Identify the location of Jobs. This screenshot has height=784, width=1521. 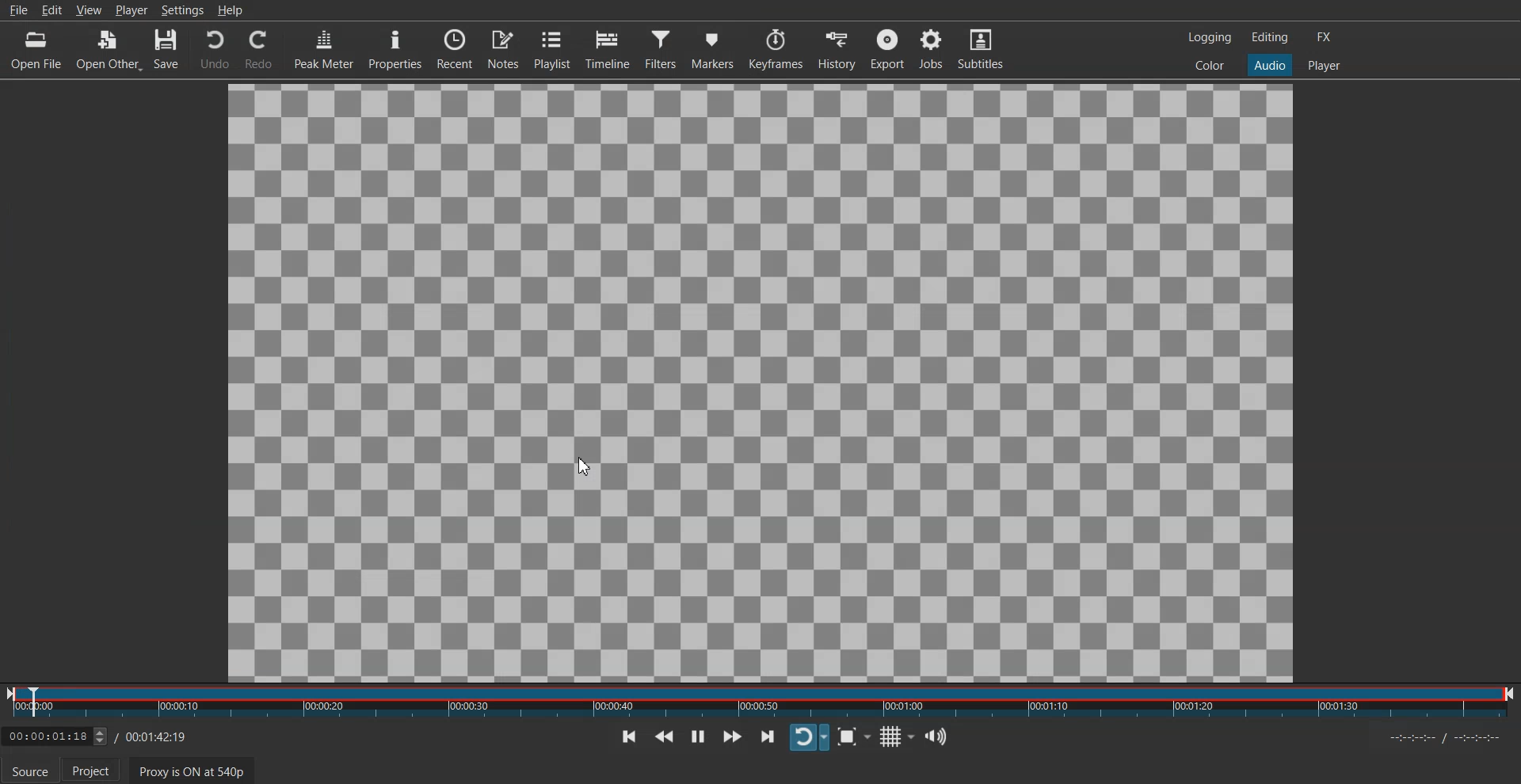
(932, 49).